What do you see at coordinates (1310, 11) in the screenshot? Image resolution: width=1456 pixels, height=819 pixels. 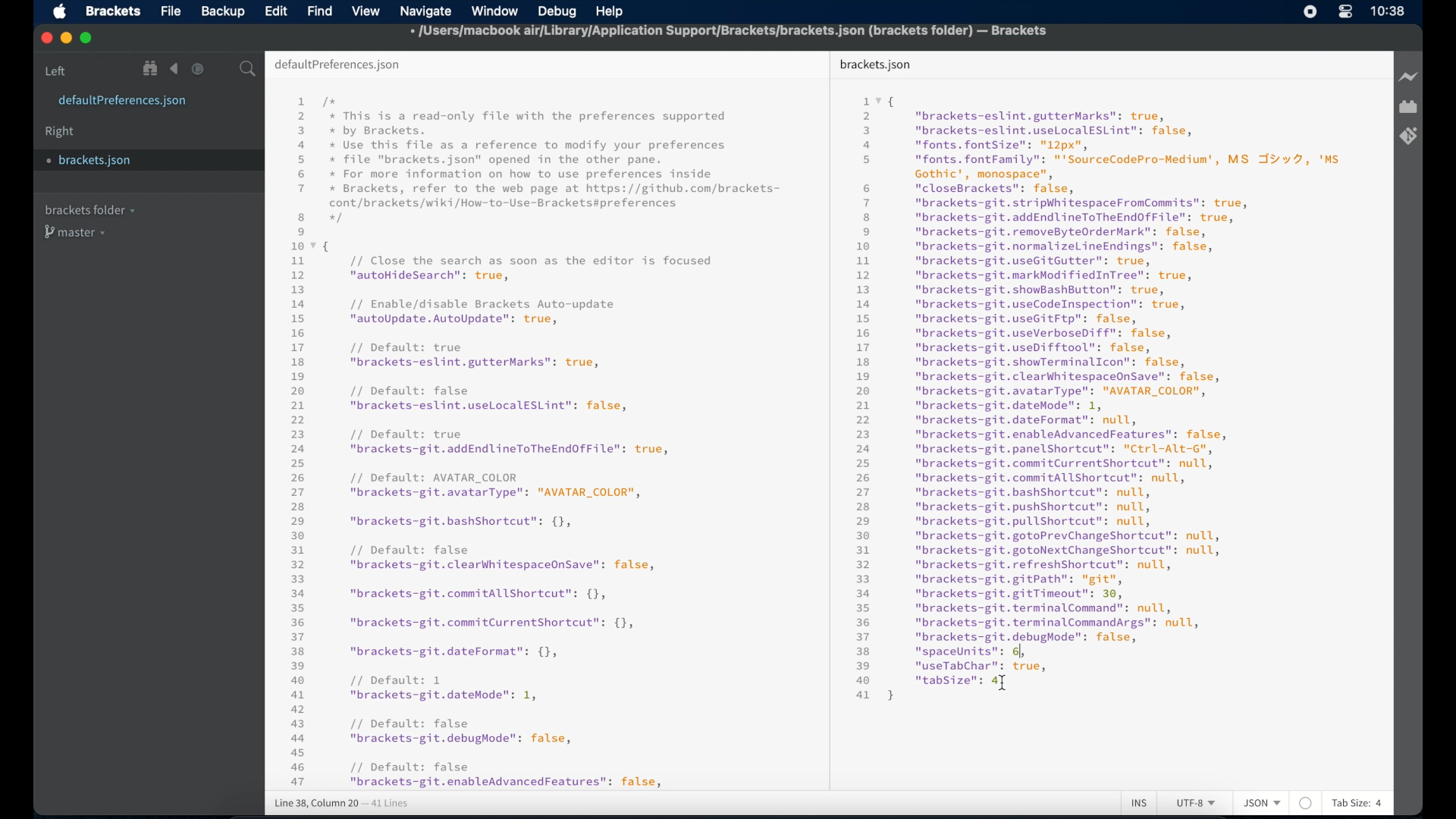 I see `screen recorder icon` at bounding box center [1310, 11].